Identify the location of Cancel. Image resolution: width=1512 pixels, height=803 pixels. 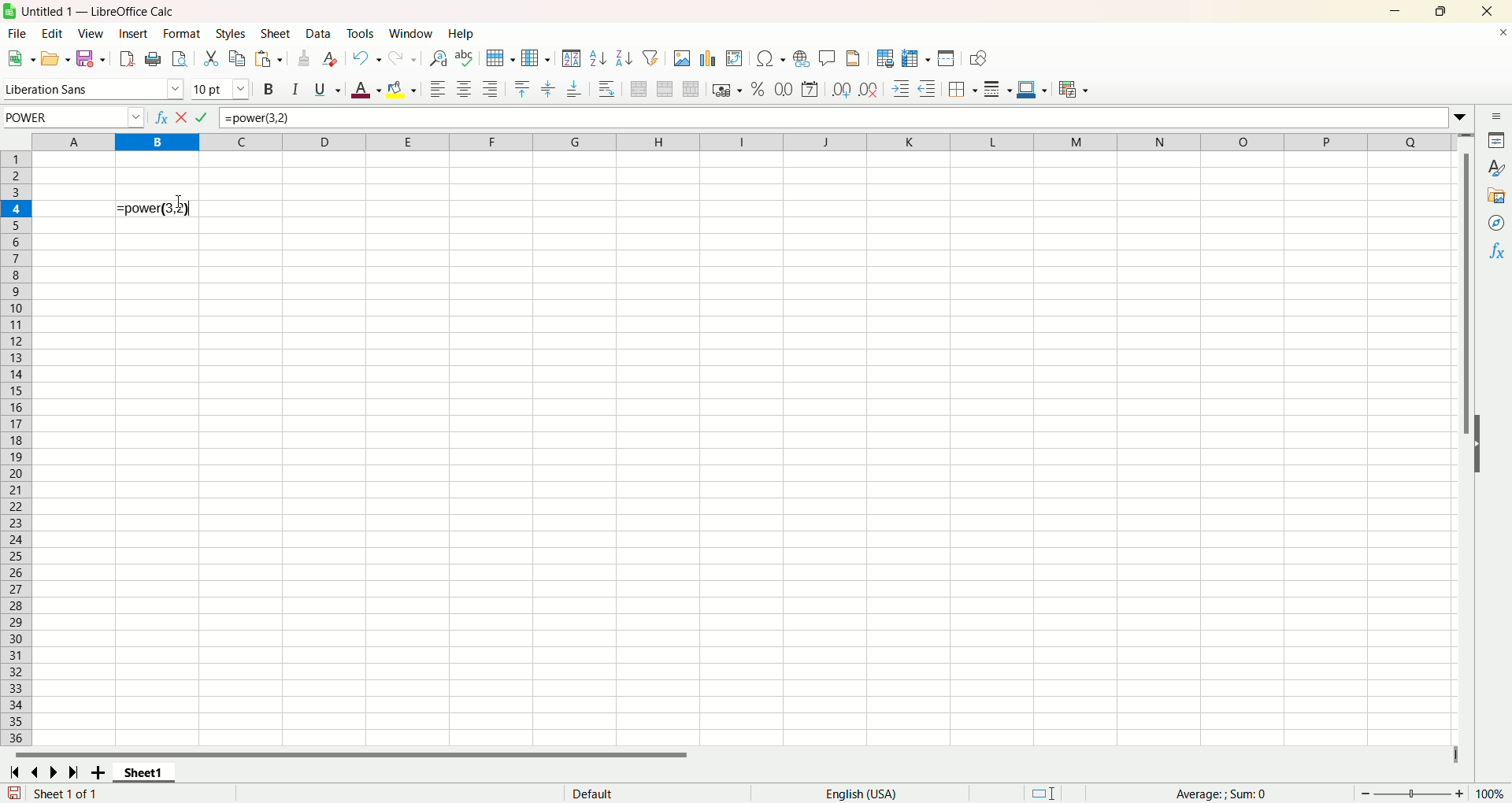
(183, 117).